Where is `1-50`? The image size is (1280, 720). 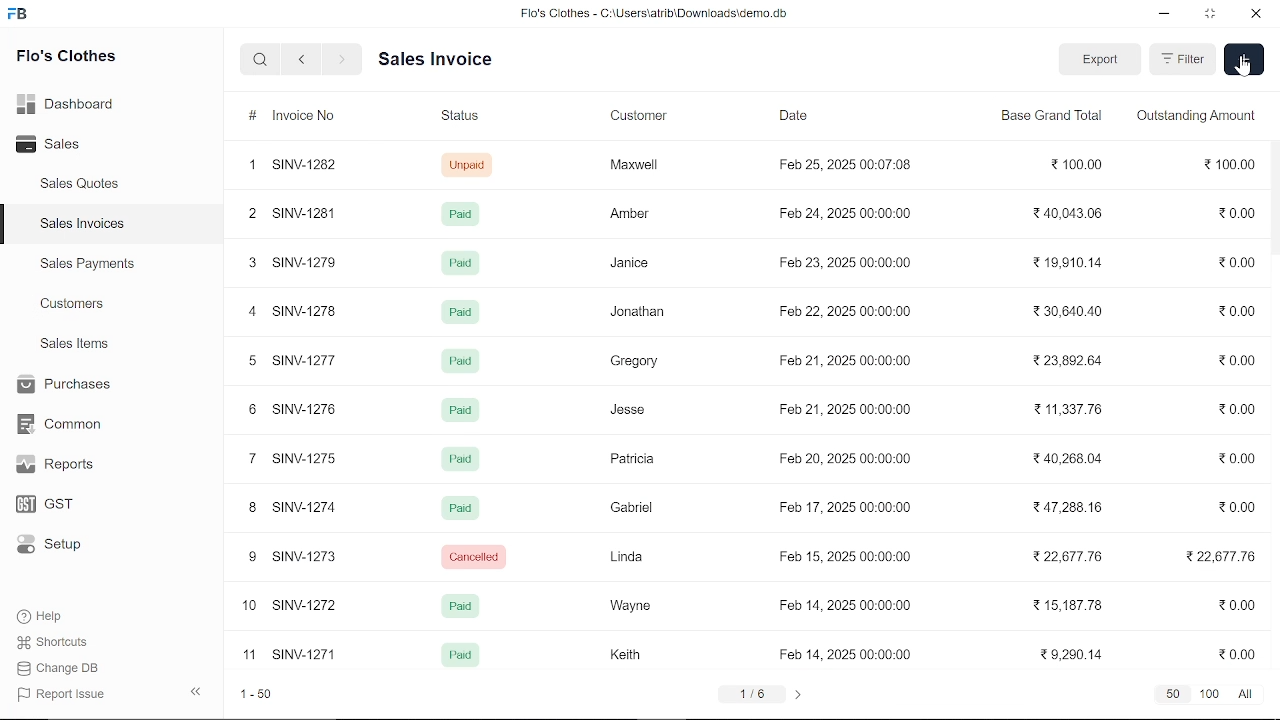
1-50 is located at coordinates (257, 696).